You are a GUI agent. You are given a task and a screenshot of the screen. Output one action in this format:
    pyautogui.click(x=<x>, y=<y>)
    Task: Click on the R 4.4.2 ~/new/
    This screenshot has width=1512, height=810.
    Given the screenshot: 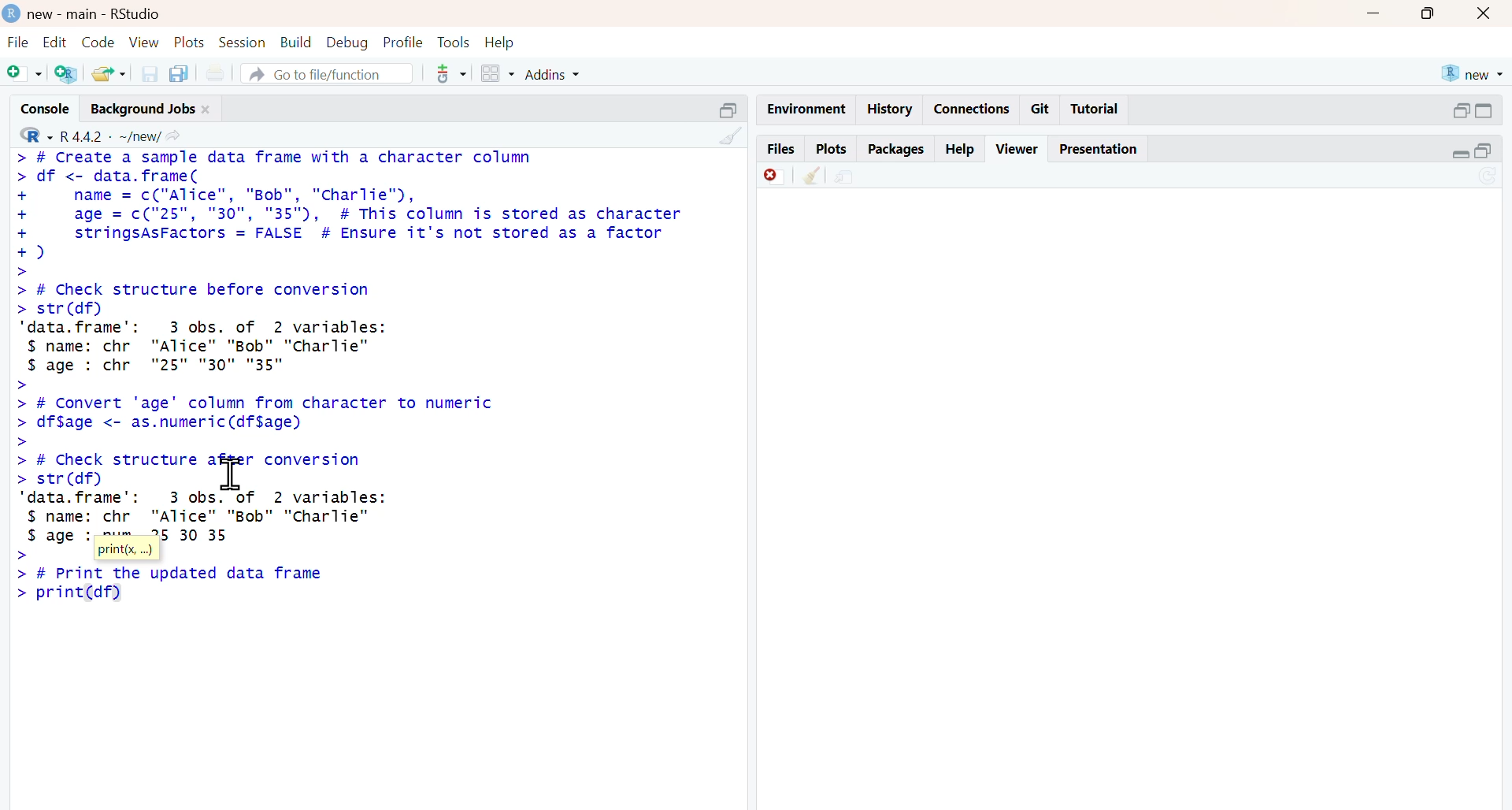 What is the action you would take?
    pyautogui.click(x=111, y=137)
    